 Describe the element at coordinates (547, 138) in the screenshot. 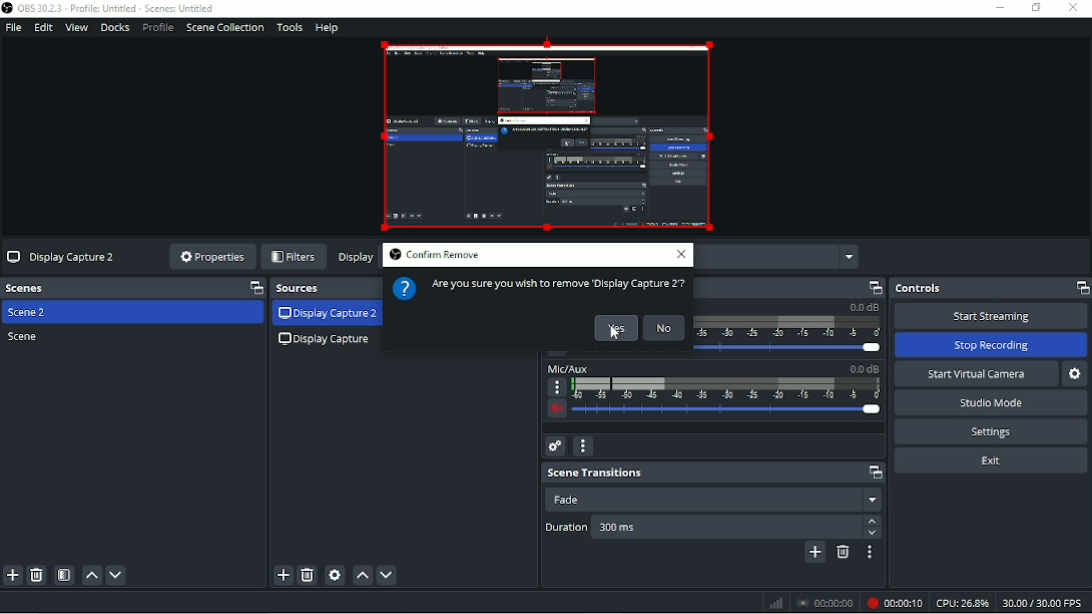

I see `Video` at that location.